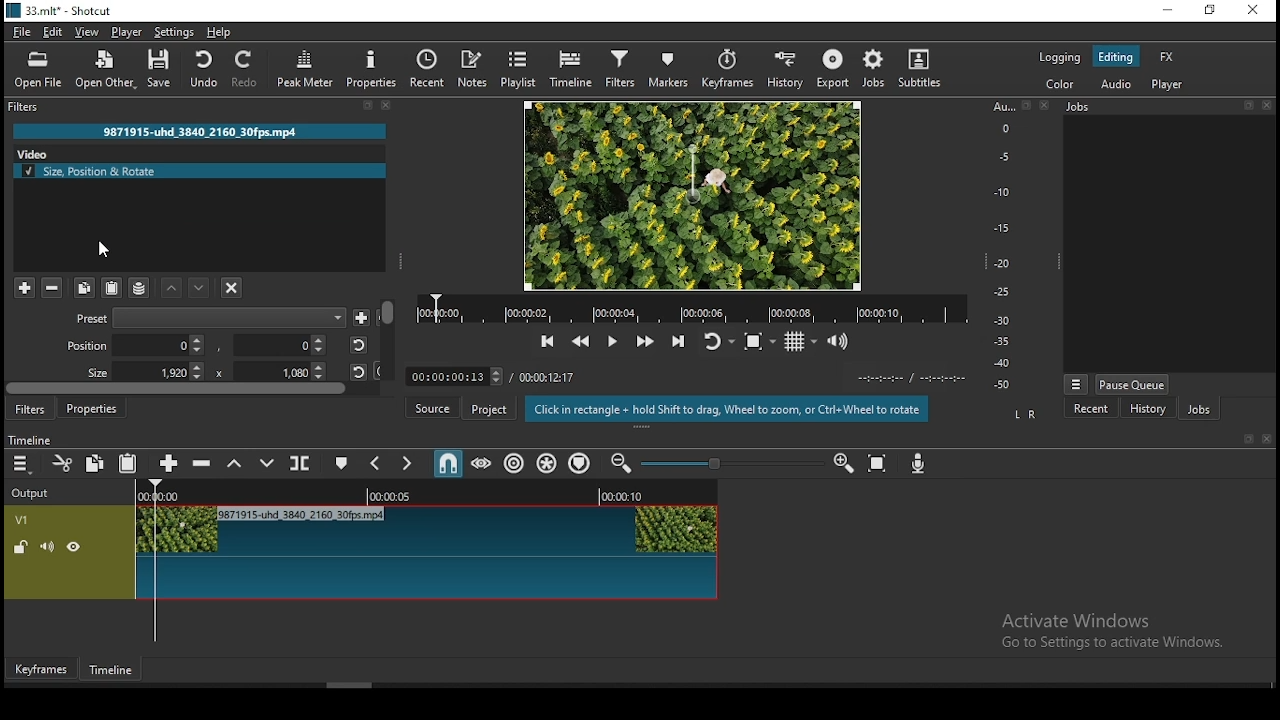 This screenshot has width=1280, height=720. What do you see at coordinates (874, 70) in the screenshot?
I see `jobs` at bounding box center [874, 70].